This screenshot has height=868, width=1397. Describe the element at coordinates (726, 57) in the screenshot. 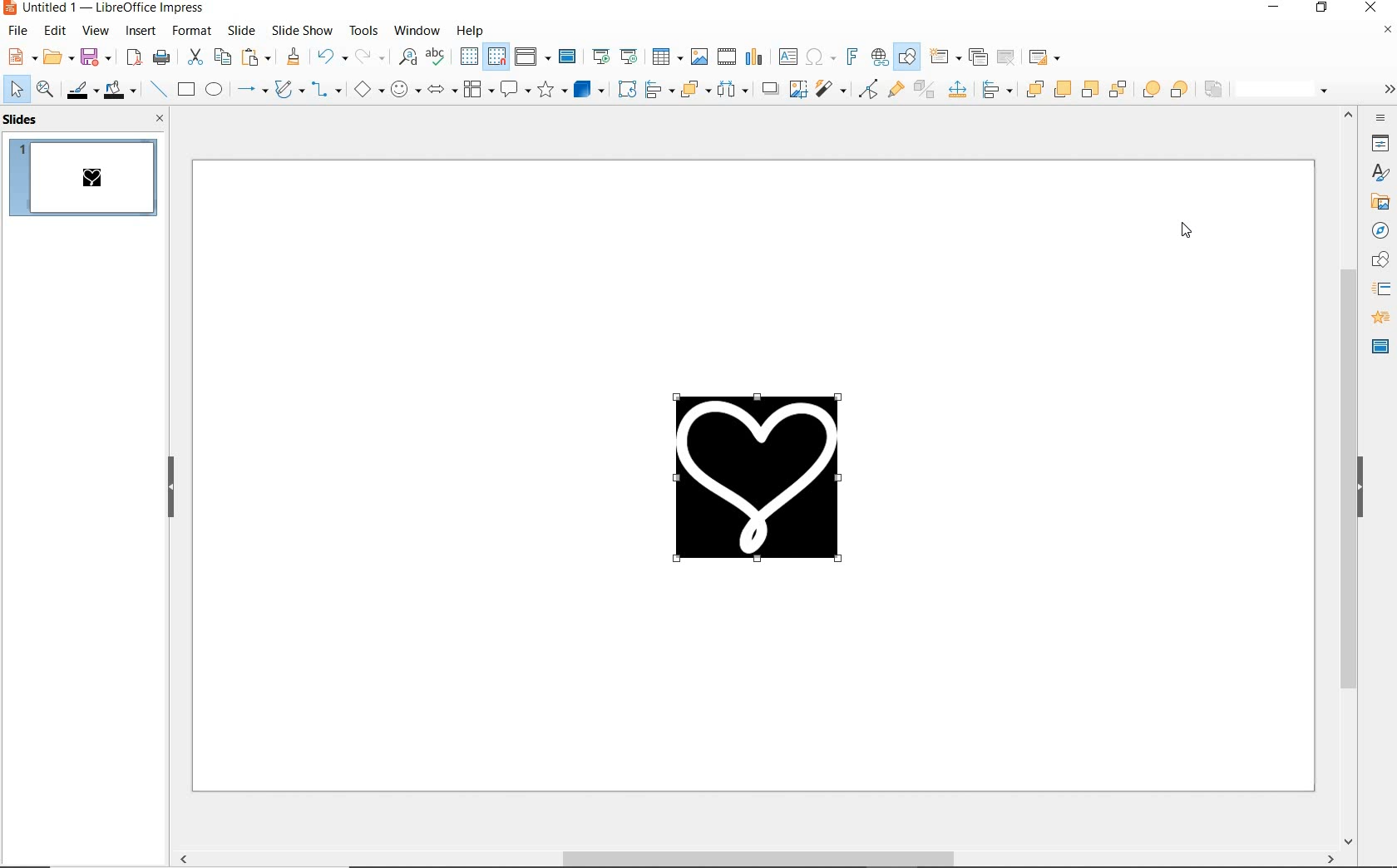

I see `insert video` at that location.